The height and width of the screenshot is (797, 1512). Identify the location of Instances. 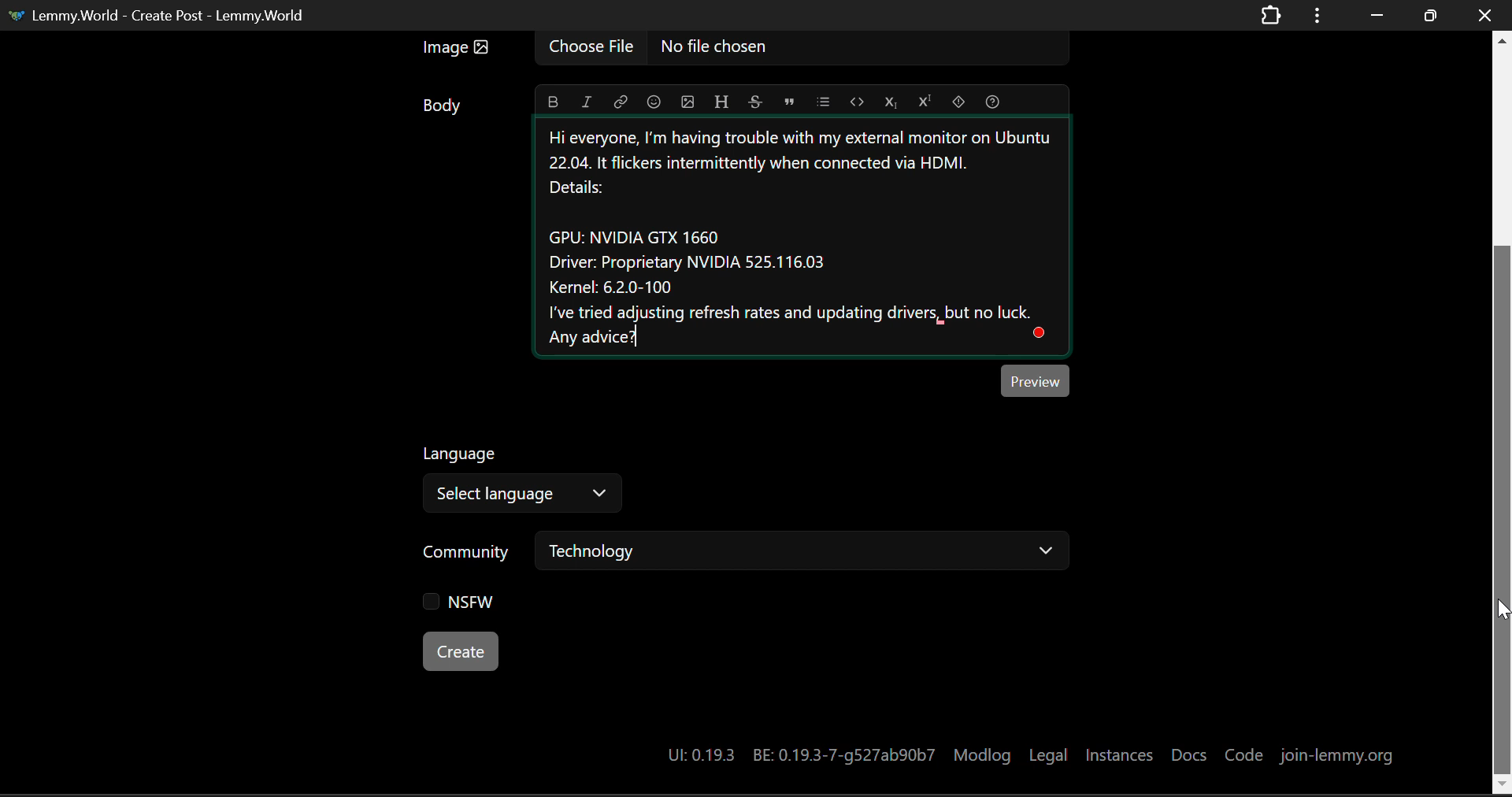
(1119, 754).